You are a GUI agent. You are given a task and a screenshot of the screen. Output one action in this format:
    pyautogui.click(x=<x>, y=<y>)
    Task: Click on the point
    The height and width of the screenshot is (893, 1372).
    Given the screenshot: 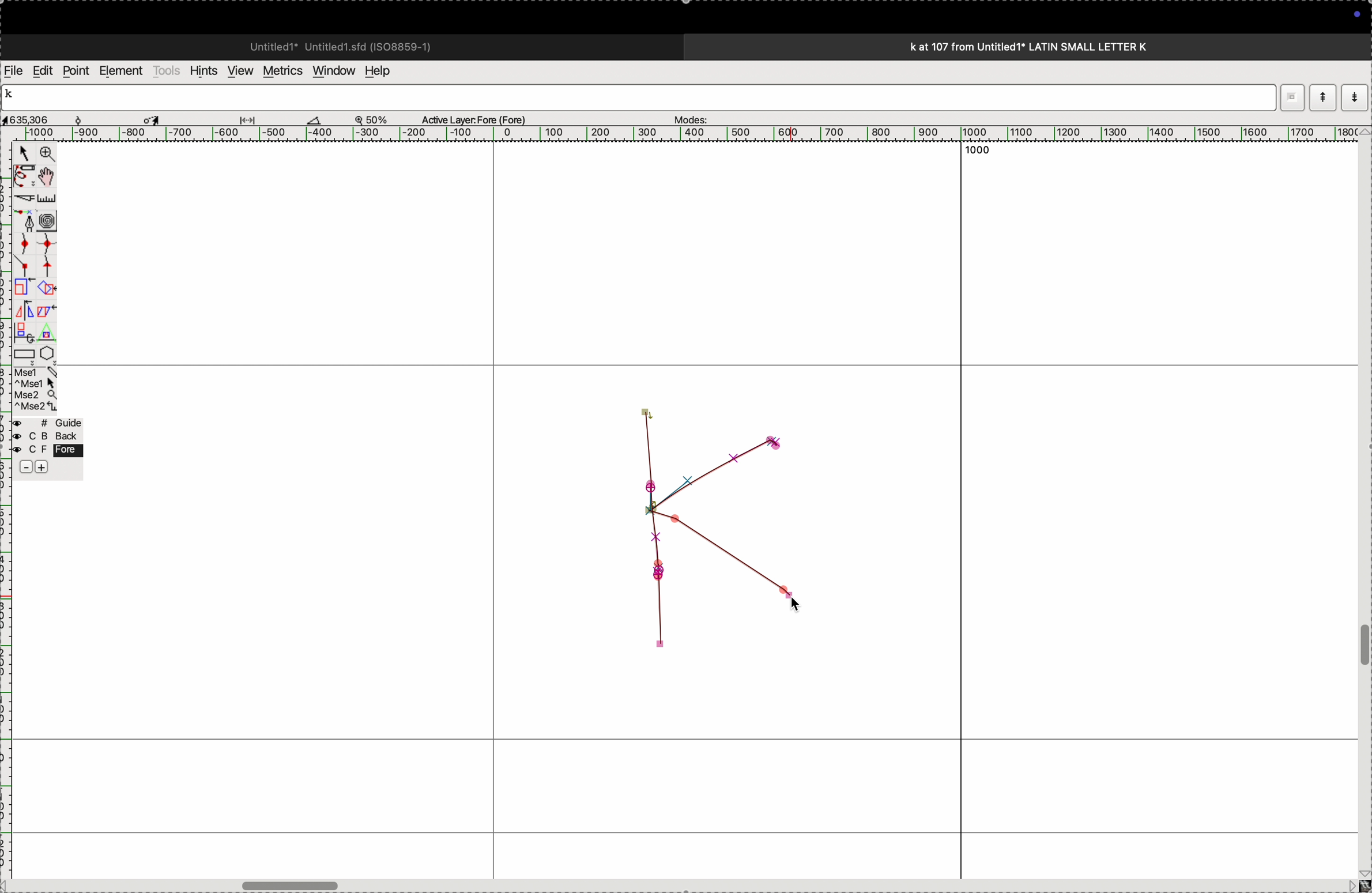 What is the action you would take?
    pyautogui.click(x=76, y=71)
    